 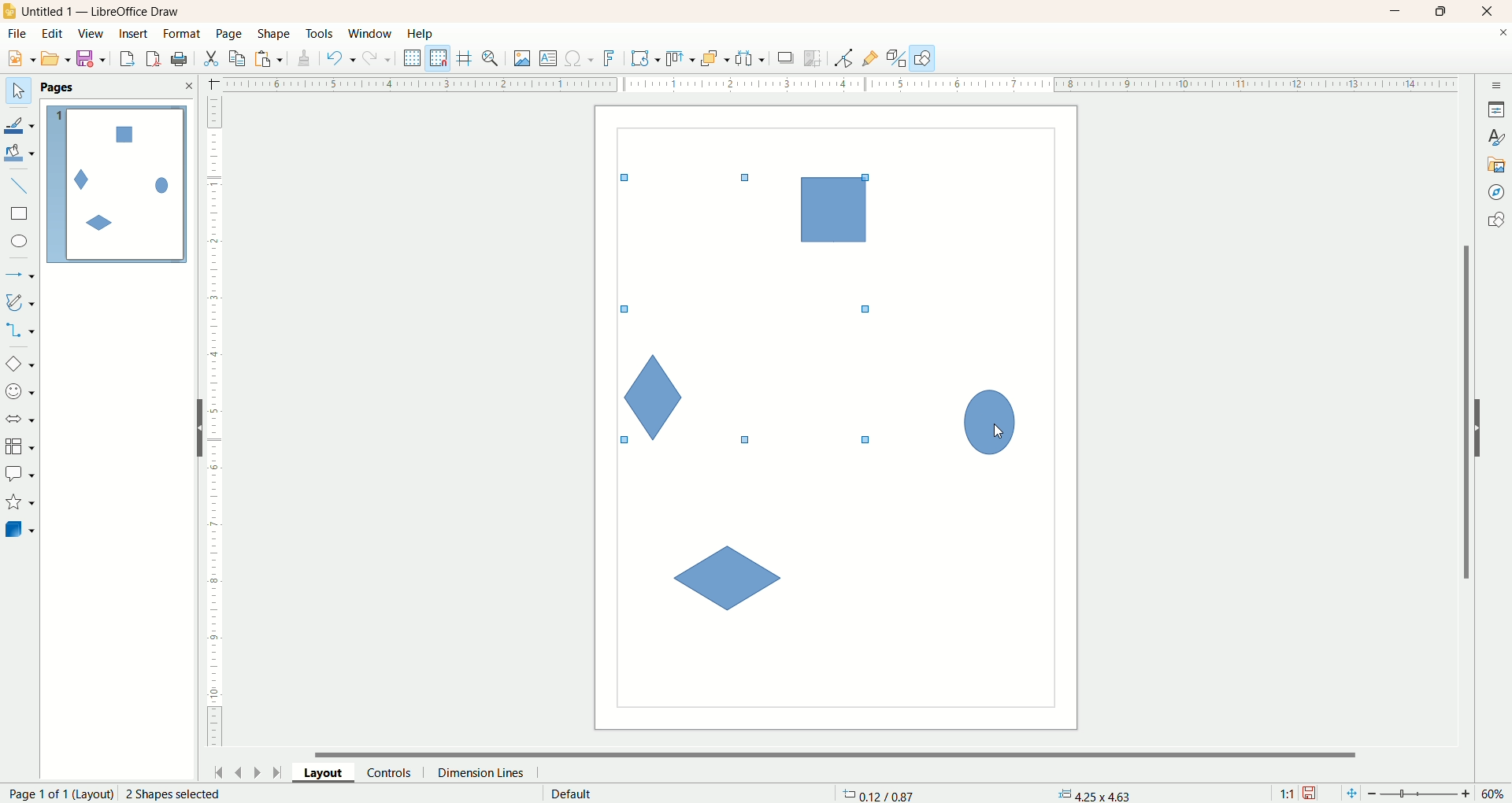 I want to click on print, so click(x=155, y=58).